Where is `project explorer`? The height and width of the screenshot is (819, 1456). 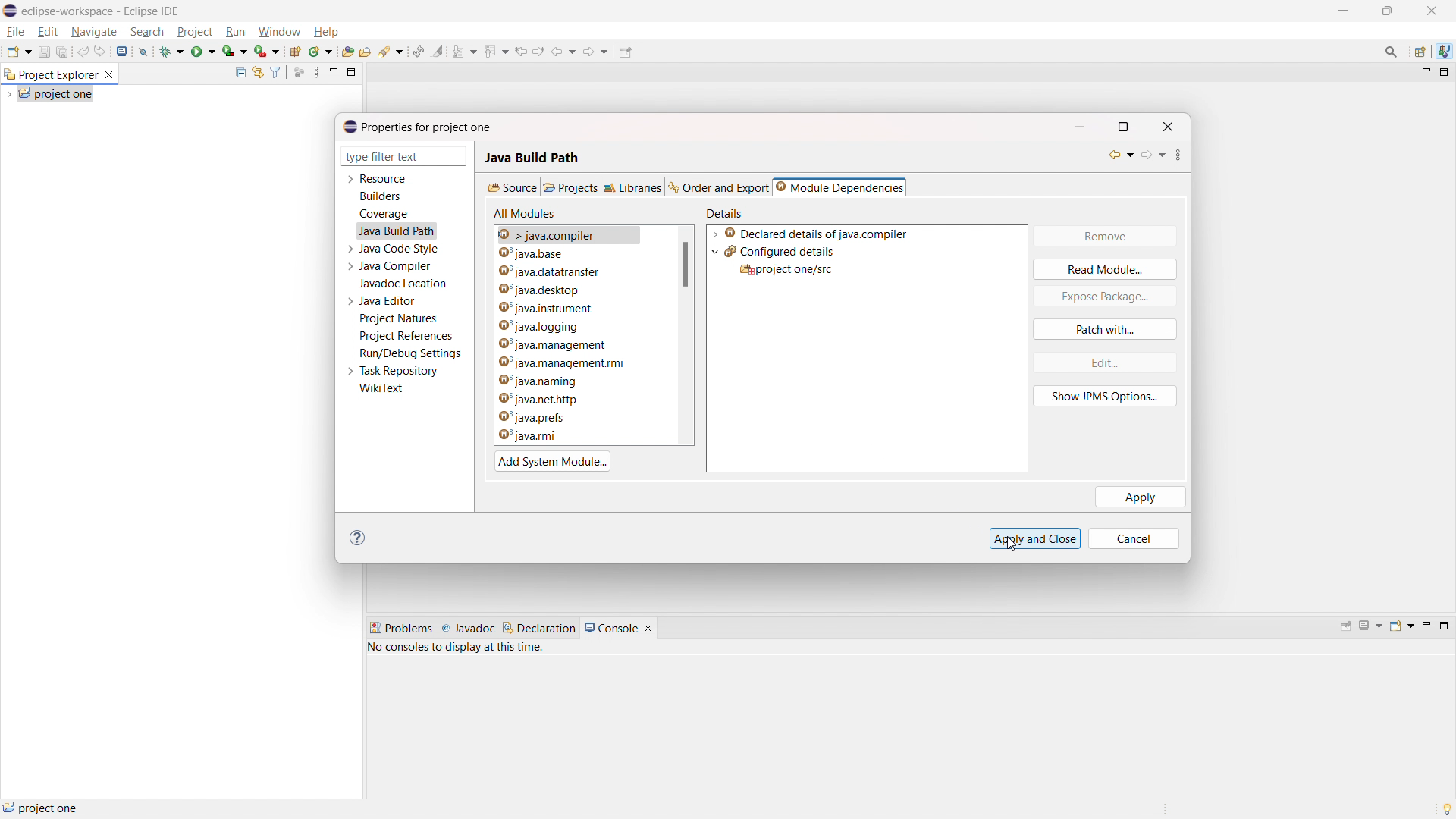
project explorer is located at coordinates (50, 74).